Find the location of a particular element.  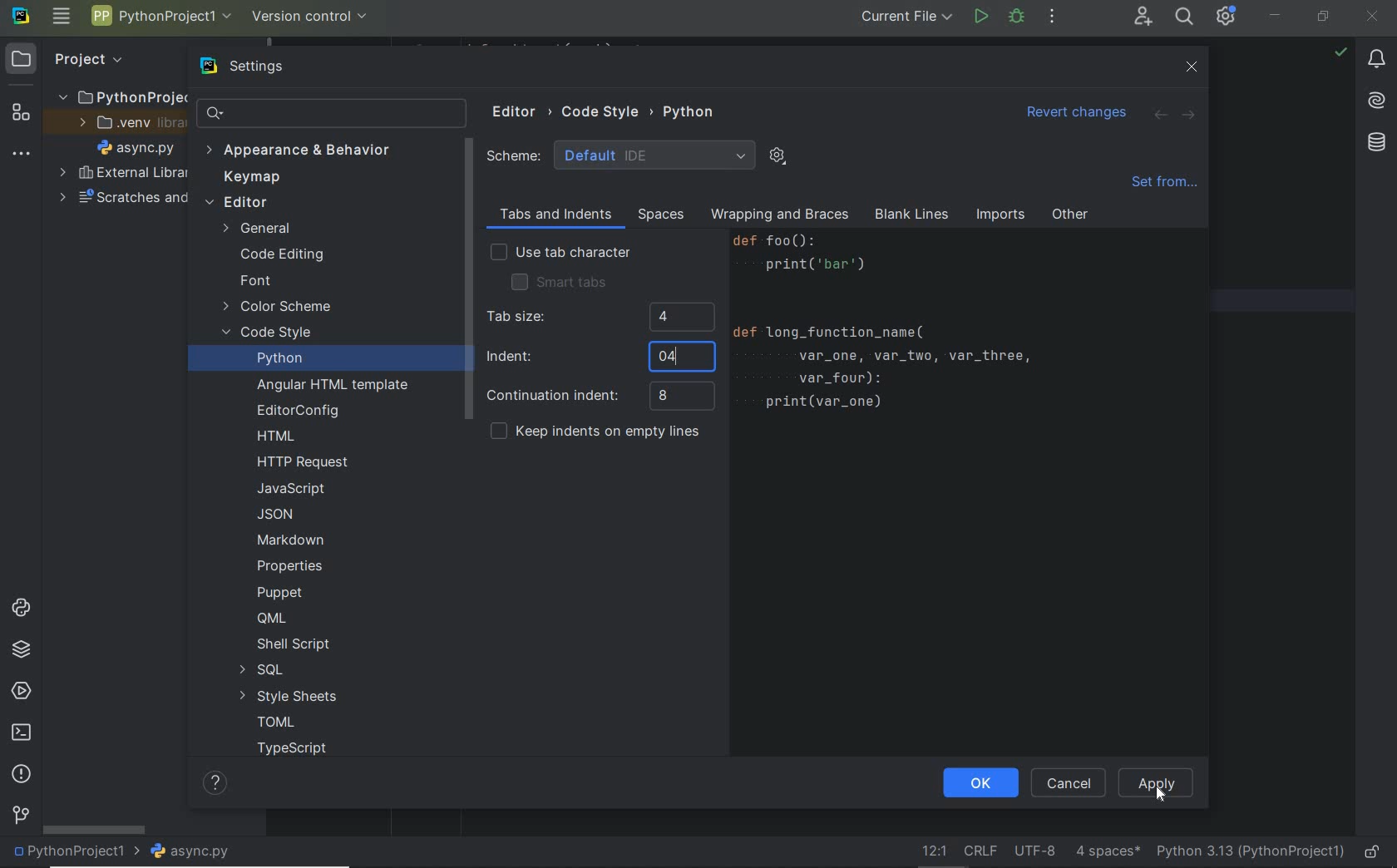

python packages is located at coordinates (24, 652).